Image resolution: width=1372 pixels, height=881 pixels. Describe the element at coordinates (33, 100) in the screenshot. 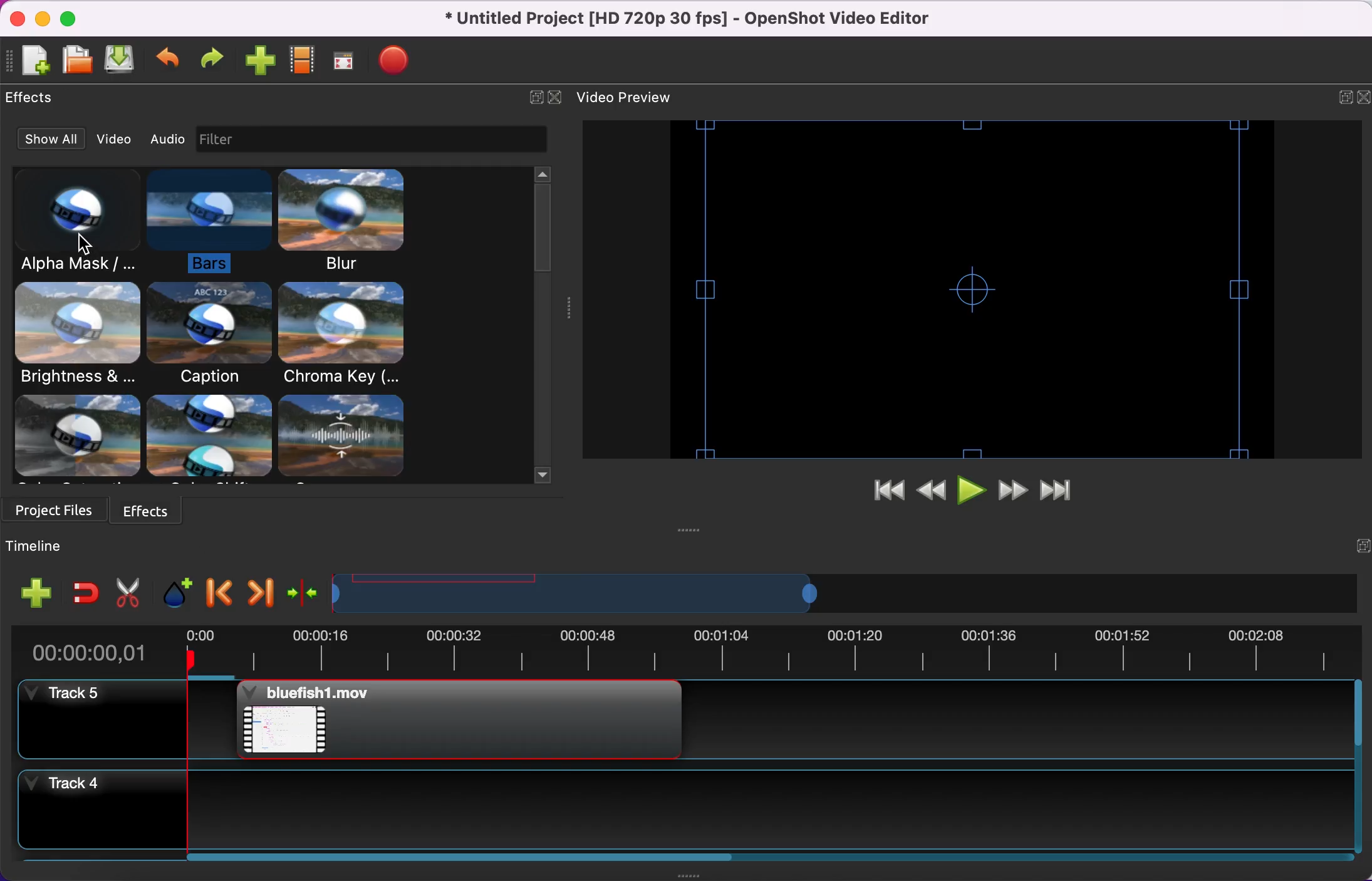

I see `effects` at that location.